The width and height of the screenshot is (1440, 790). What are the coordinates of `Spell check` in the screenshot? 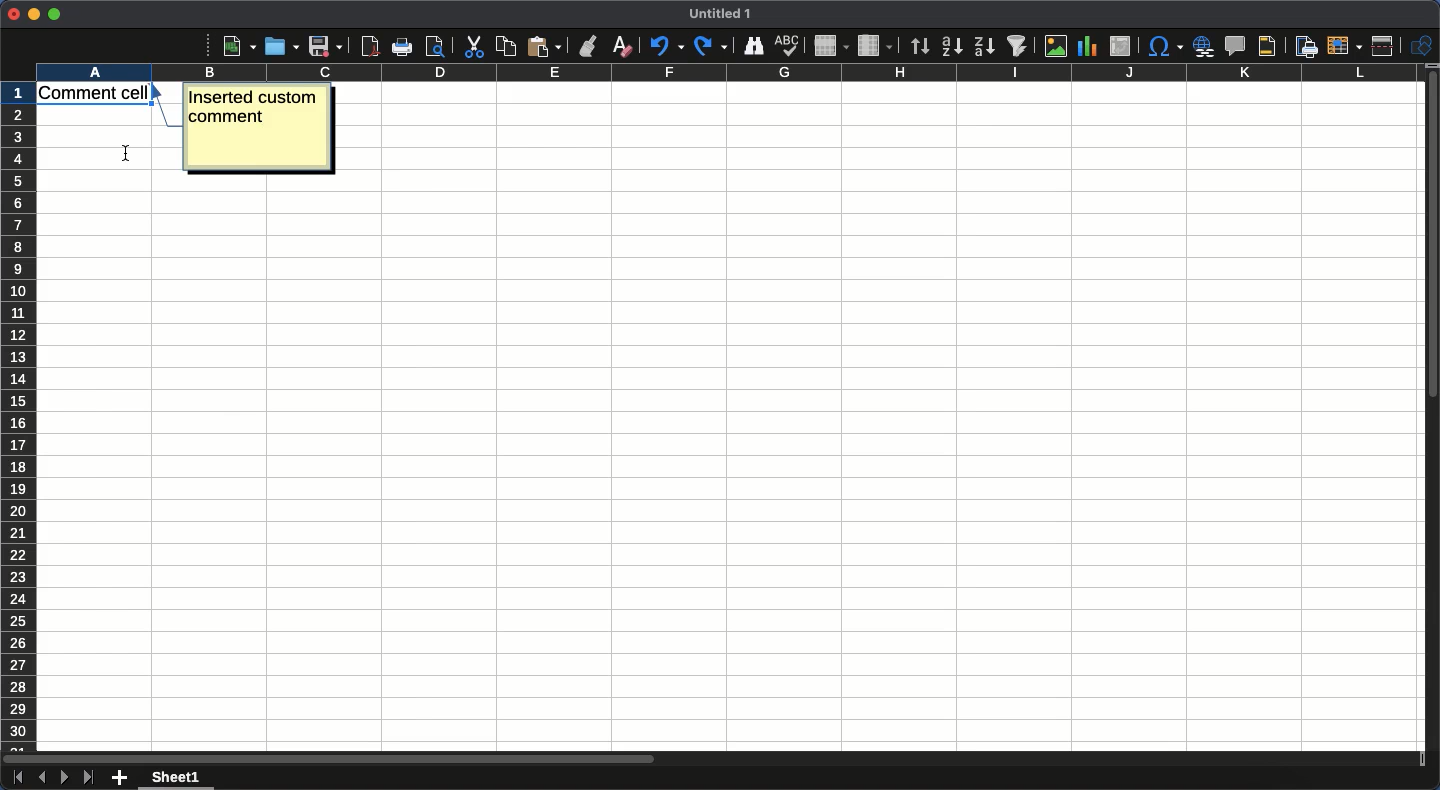 It's located at (788, 46).